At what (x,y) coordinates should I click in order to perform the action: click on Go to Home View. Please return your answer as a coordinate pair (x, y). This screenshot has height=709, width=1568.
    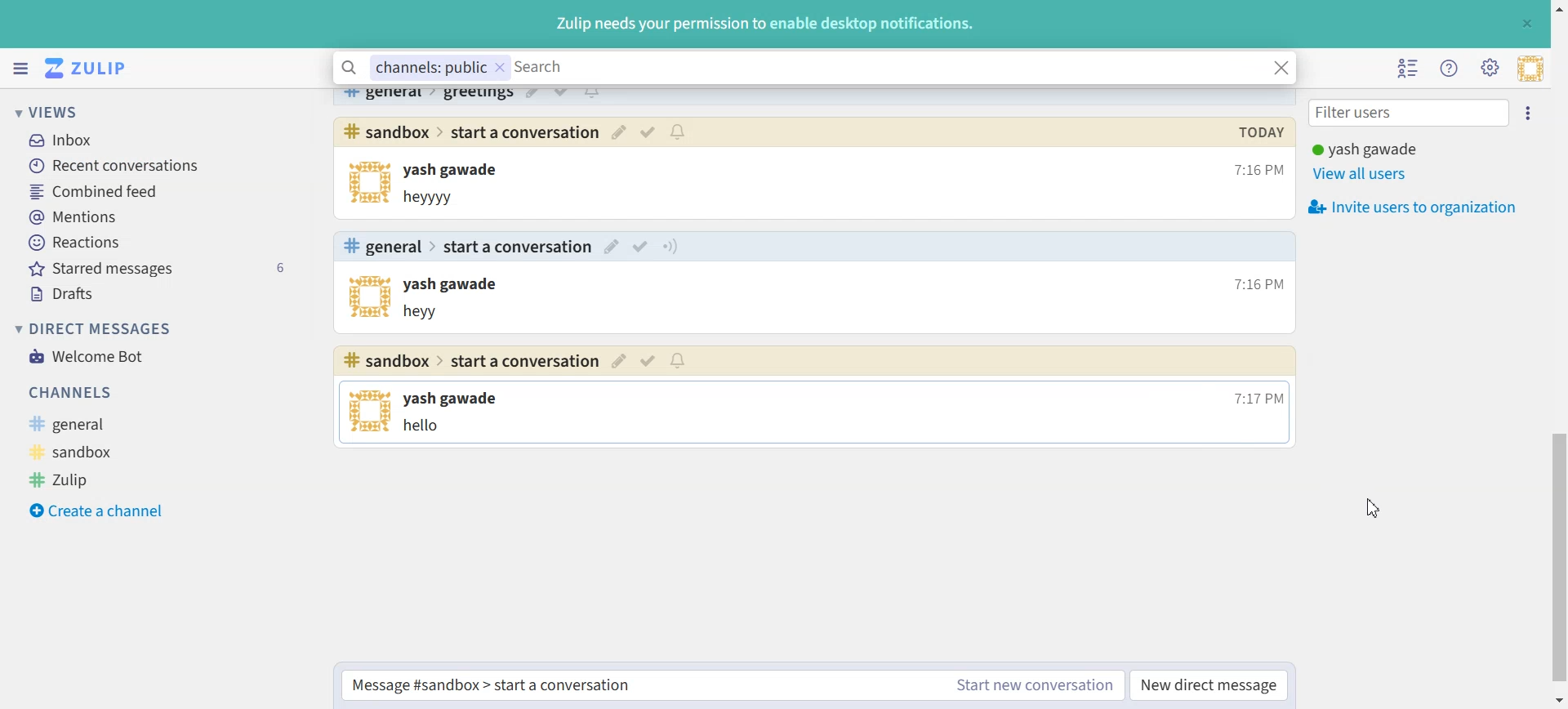
    Looking at the image, I should click on (92, 69).